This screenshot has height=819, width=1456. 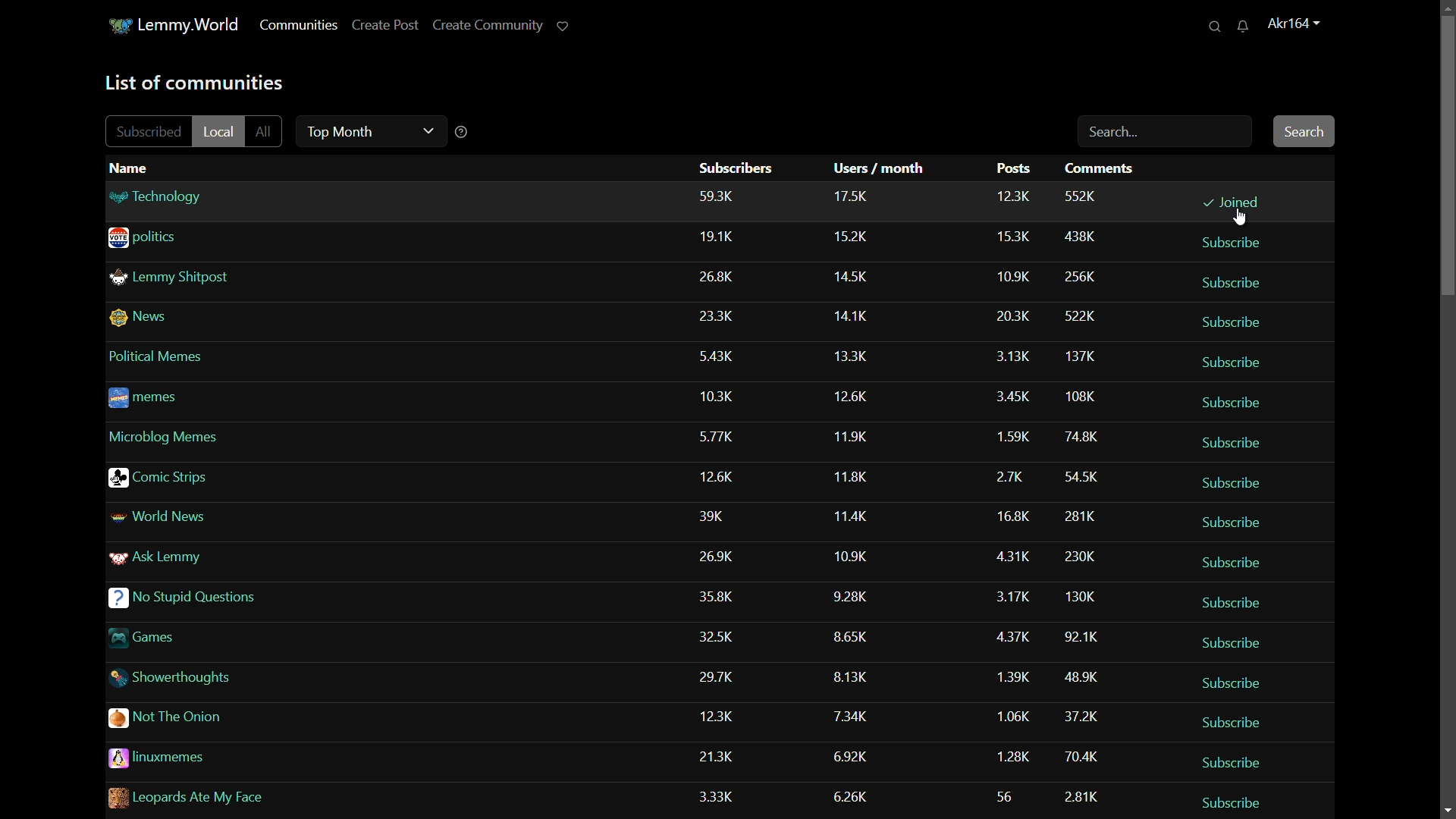 I want to click on comments, so click(x=1073, y=554).